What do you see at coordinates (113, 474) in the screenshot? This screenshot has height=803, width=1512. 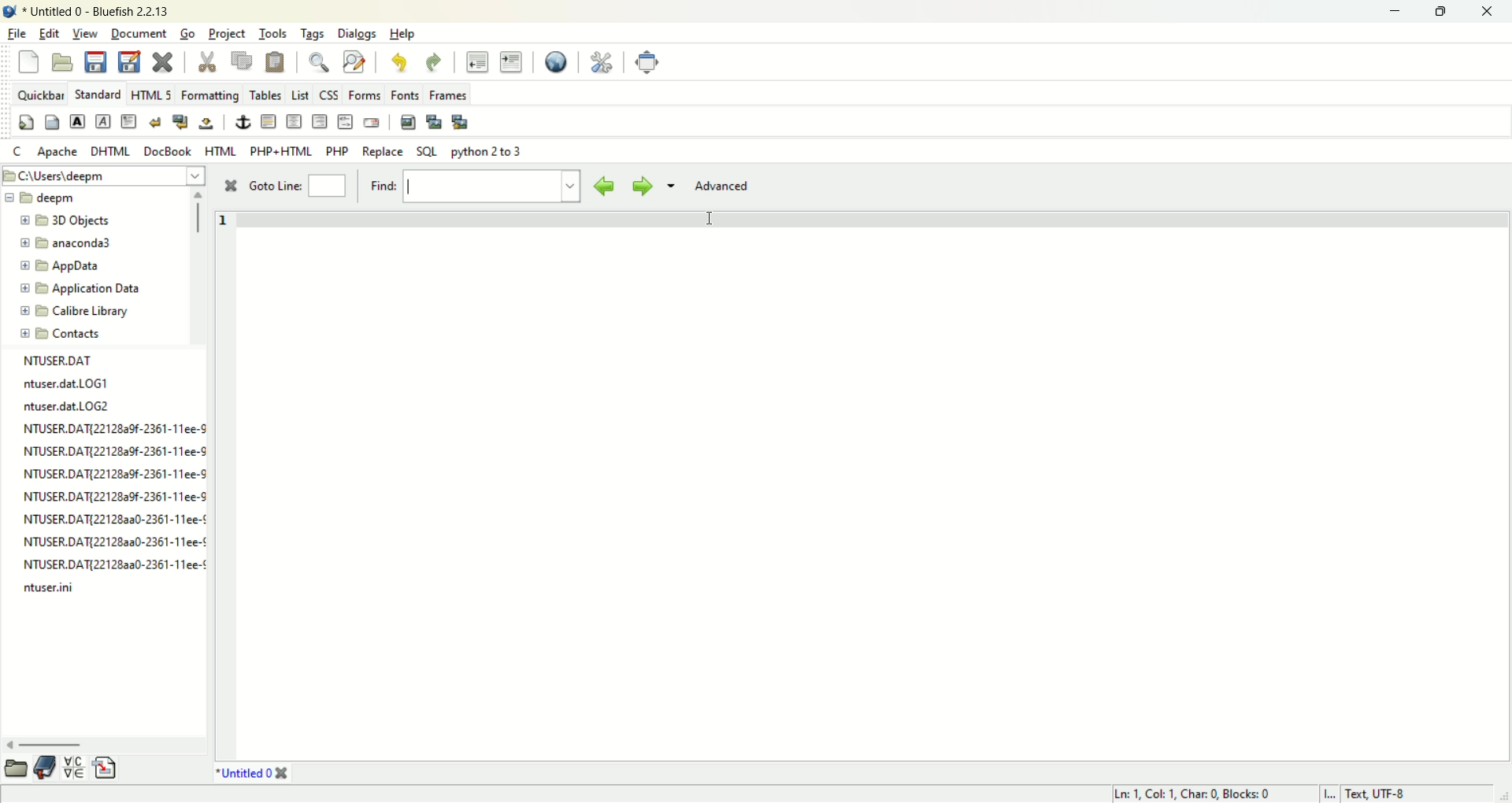 I see `NTUSER.DAT{2212829f-2361-11ee-3` at bounding box center [113, 474].